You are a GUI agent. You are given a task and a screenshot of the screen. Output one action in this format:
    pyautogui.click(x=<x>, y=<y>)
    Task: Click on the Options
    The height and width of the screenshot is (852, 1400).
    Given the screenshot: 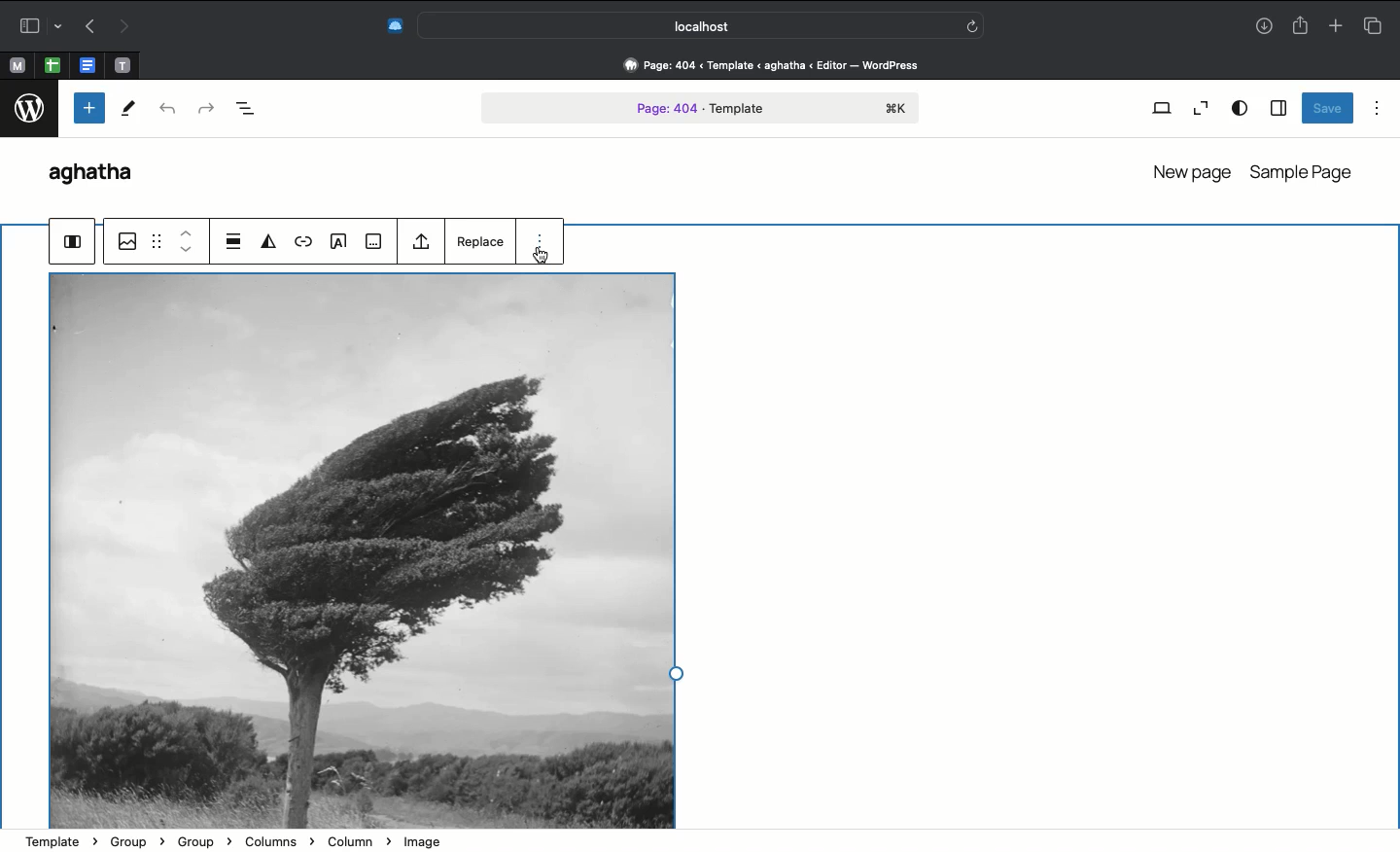 What is the action you would take?
    pyautogui.click(x=540, y=246)
    